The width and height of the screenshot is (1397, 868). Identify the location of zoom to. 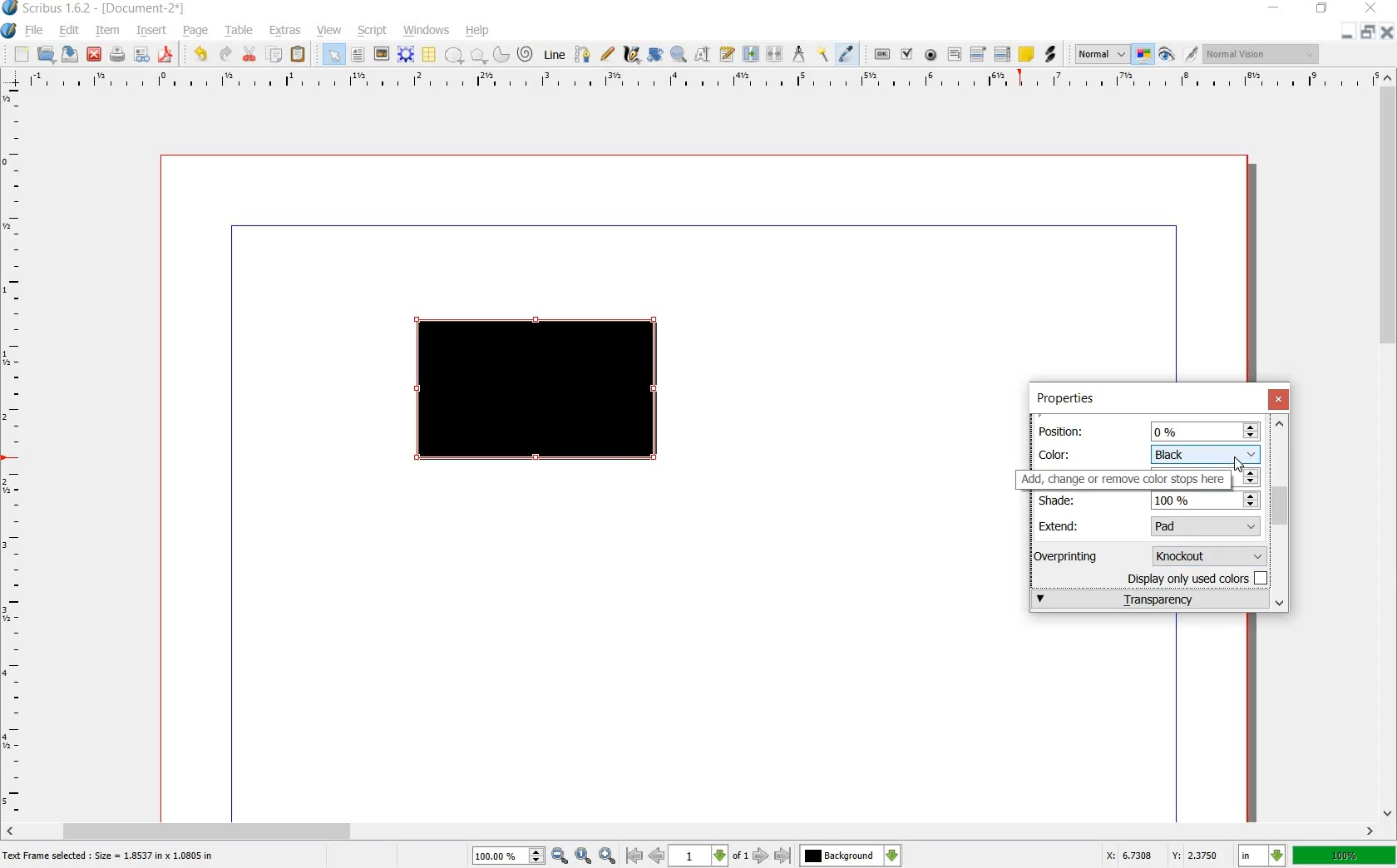
(584, 856).